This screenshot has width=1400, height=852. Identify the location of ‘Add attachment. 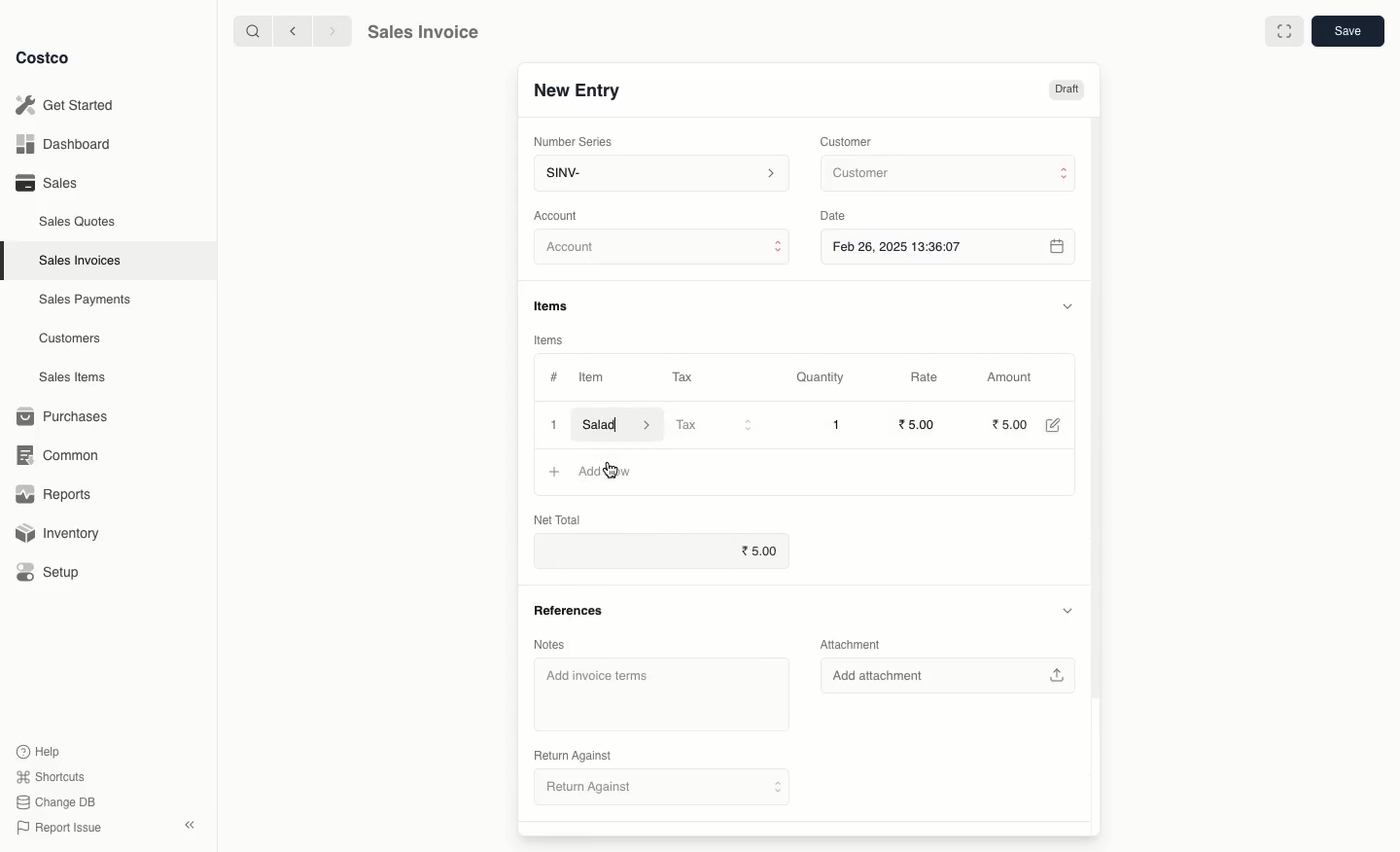
(947, 675).